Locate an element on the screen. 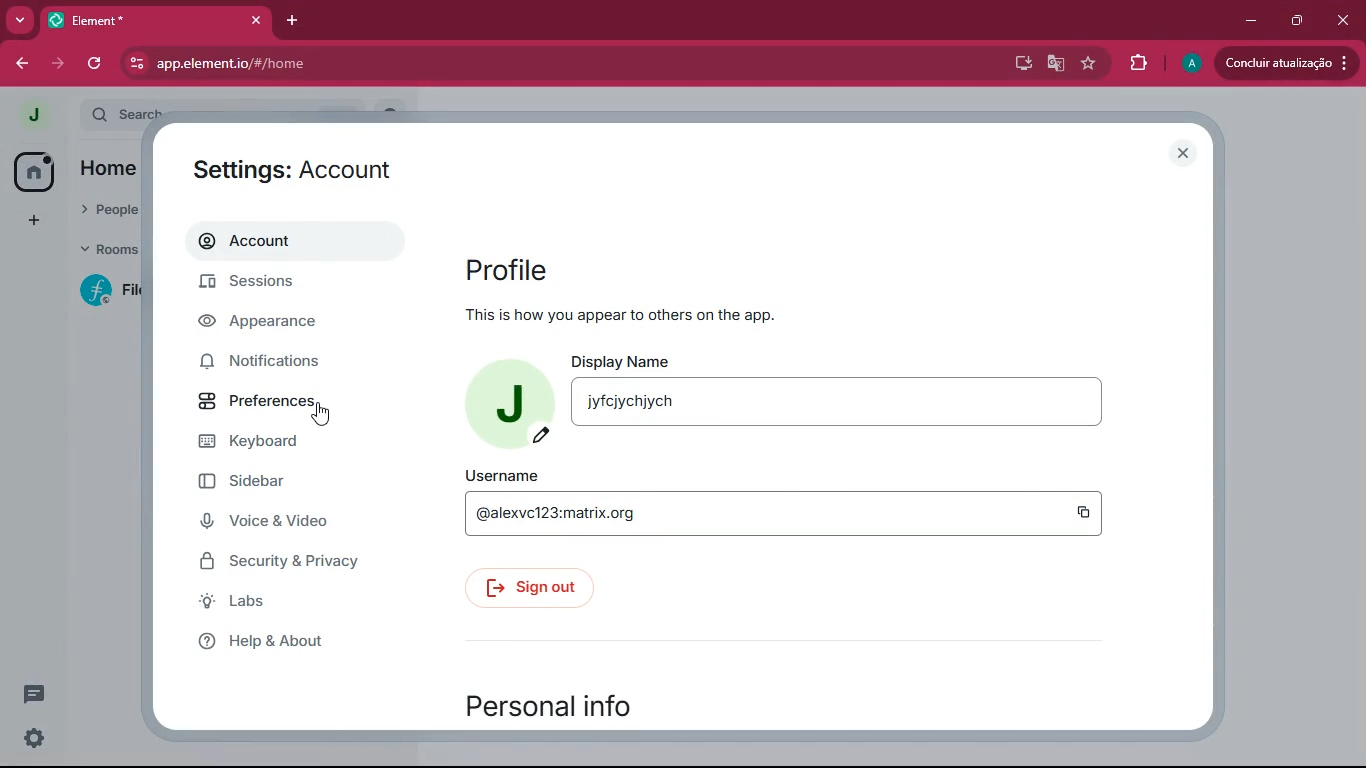  favourite is located at coordinates (1093, 66).